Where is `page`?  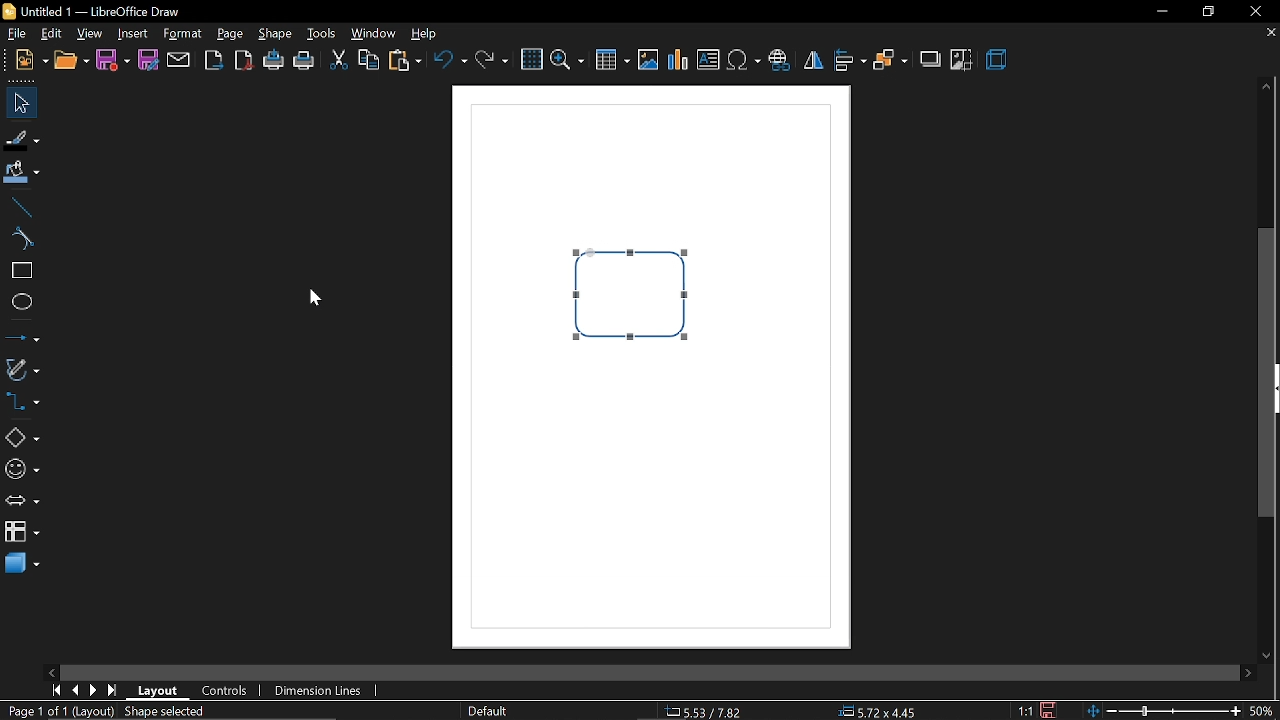
page is located at coordinates (230, 34).